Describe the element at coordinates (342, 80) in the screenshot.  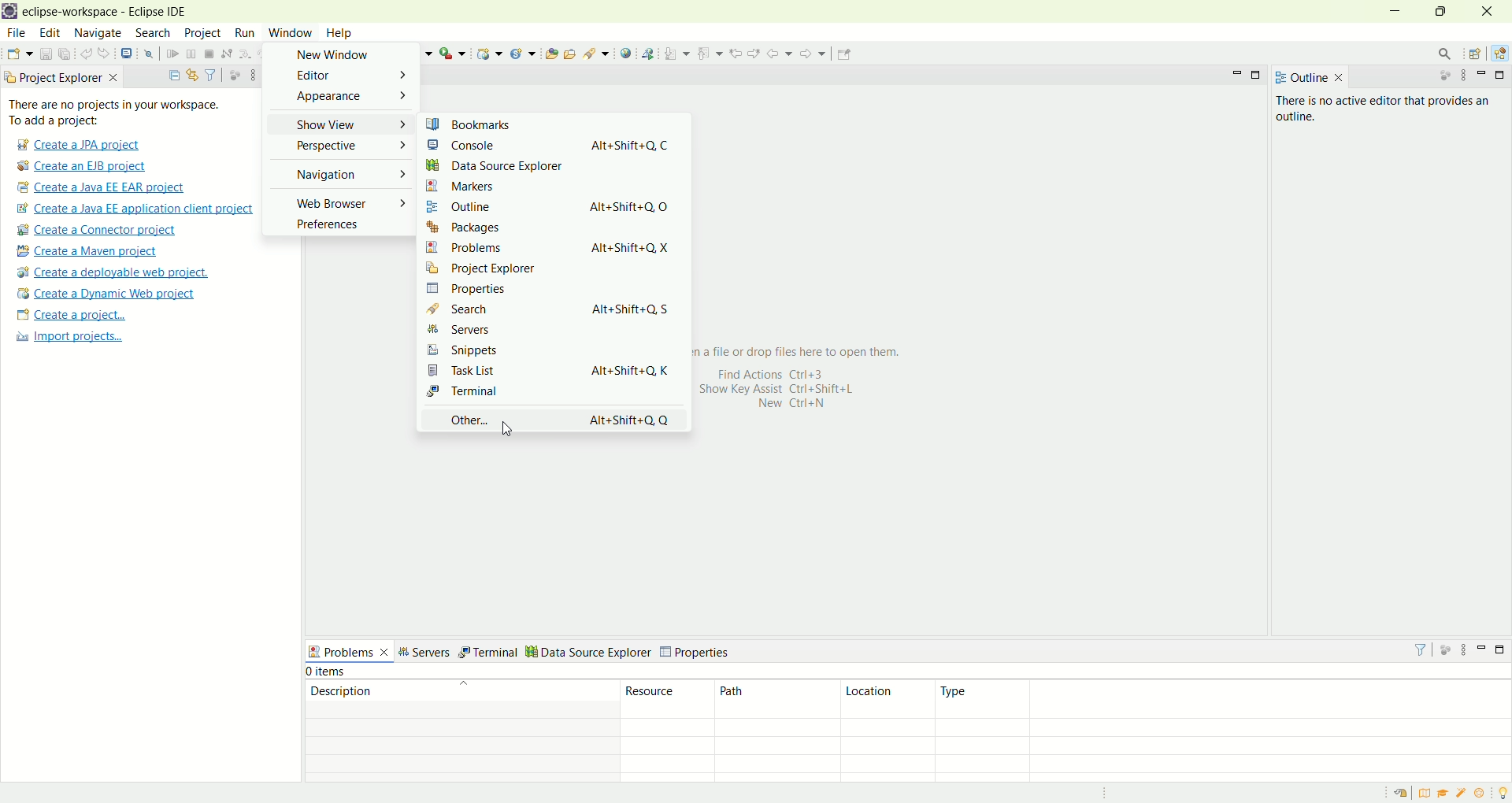
I see `editor` at that location.